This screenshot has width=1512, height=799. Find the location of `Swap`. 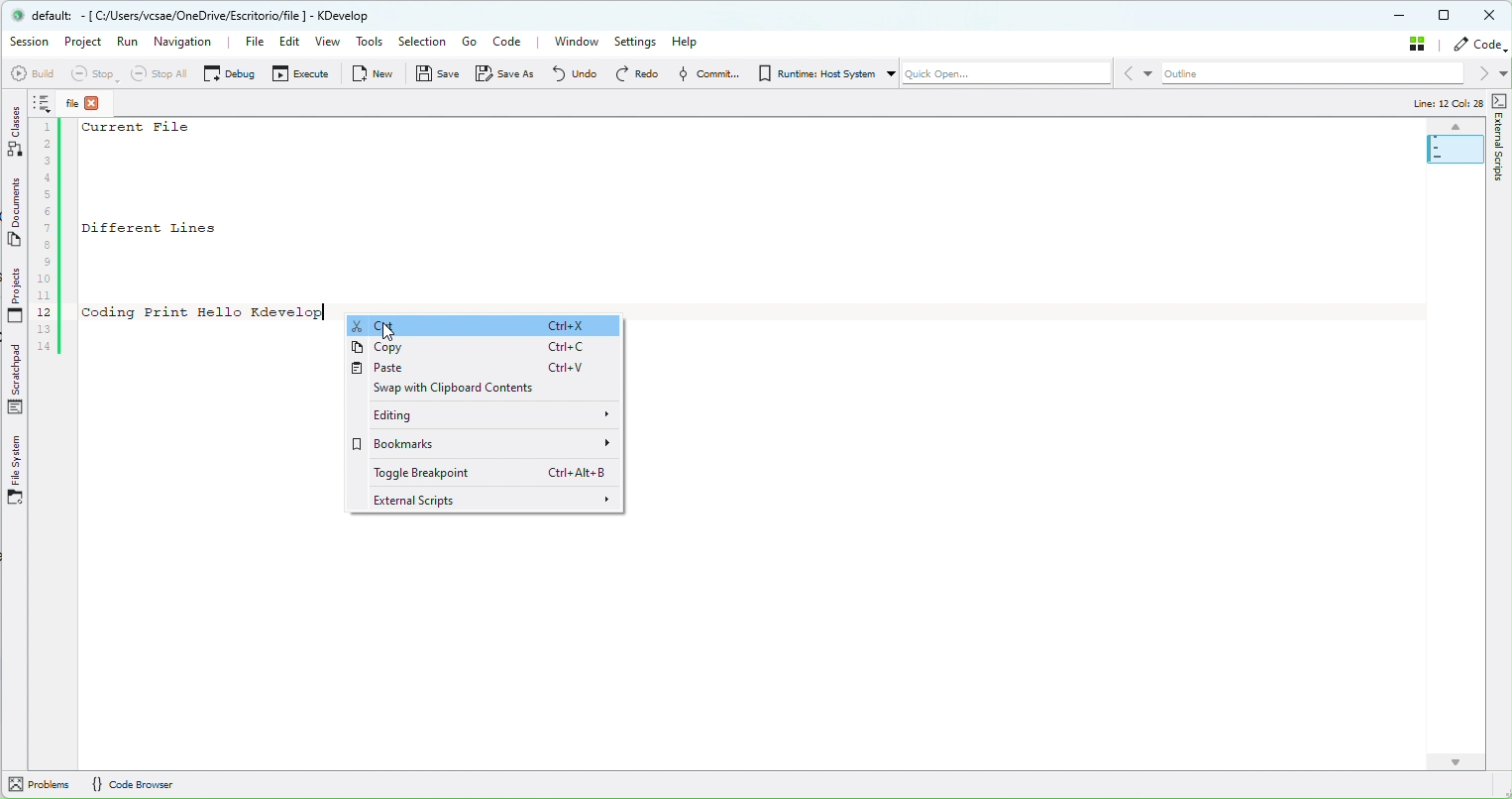

Swap is located at coordinates (487, 392).